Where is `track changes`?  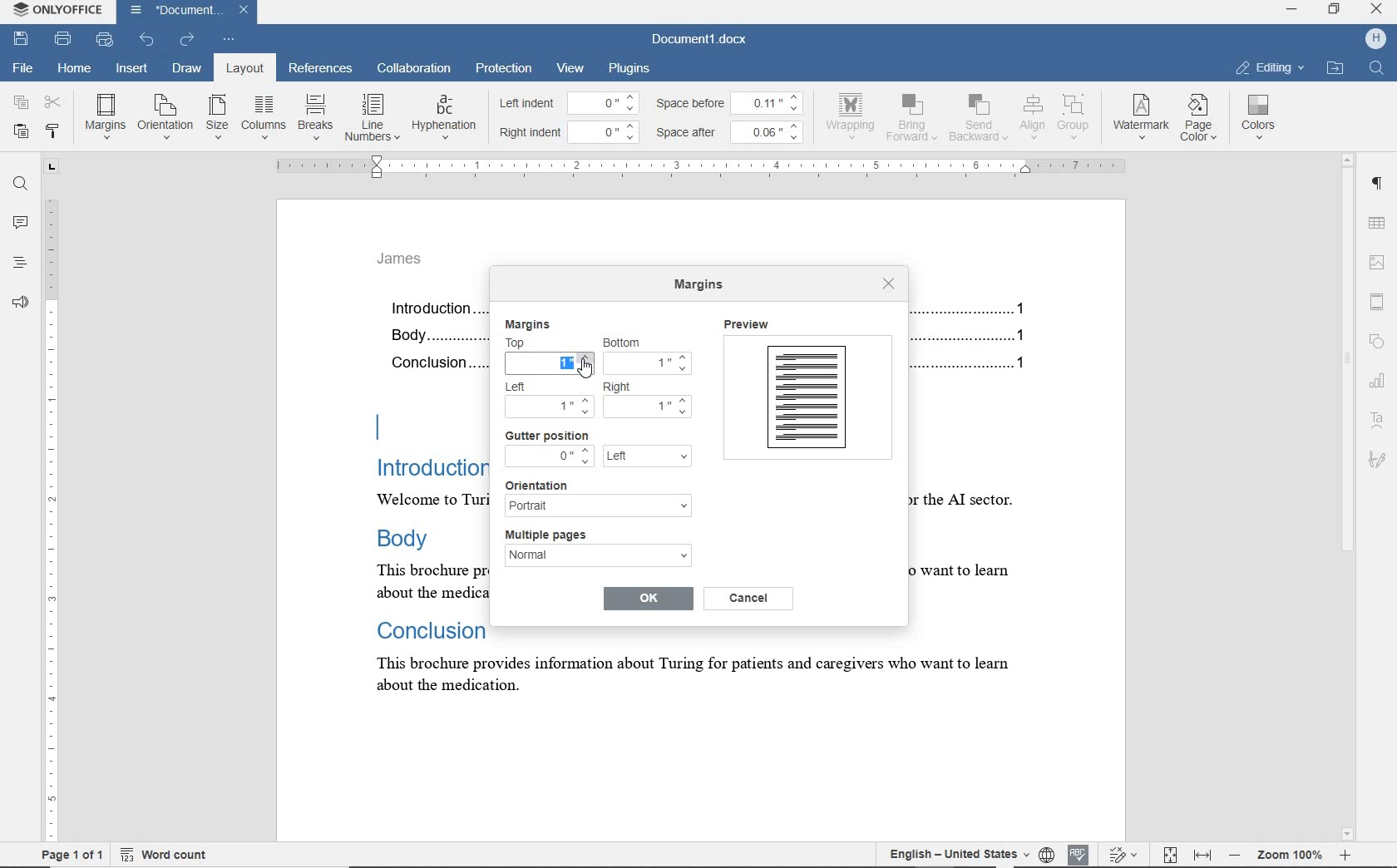 track changes is located at coordinates (1125, 854).